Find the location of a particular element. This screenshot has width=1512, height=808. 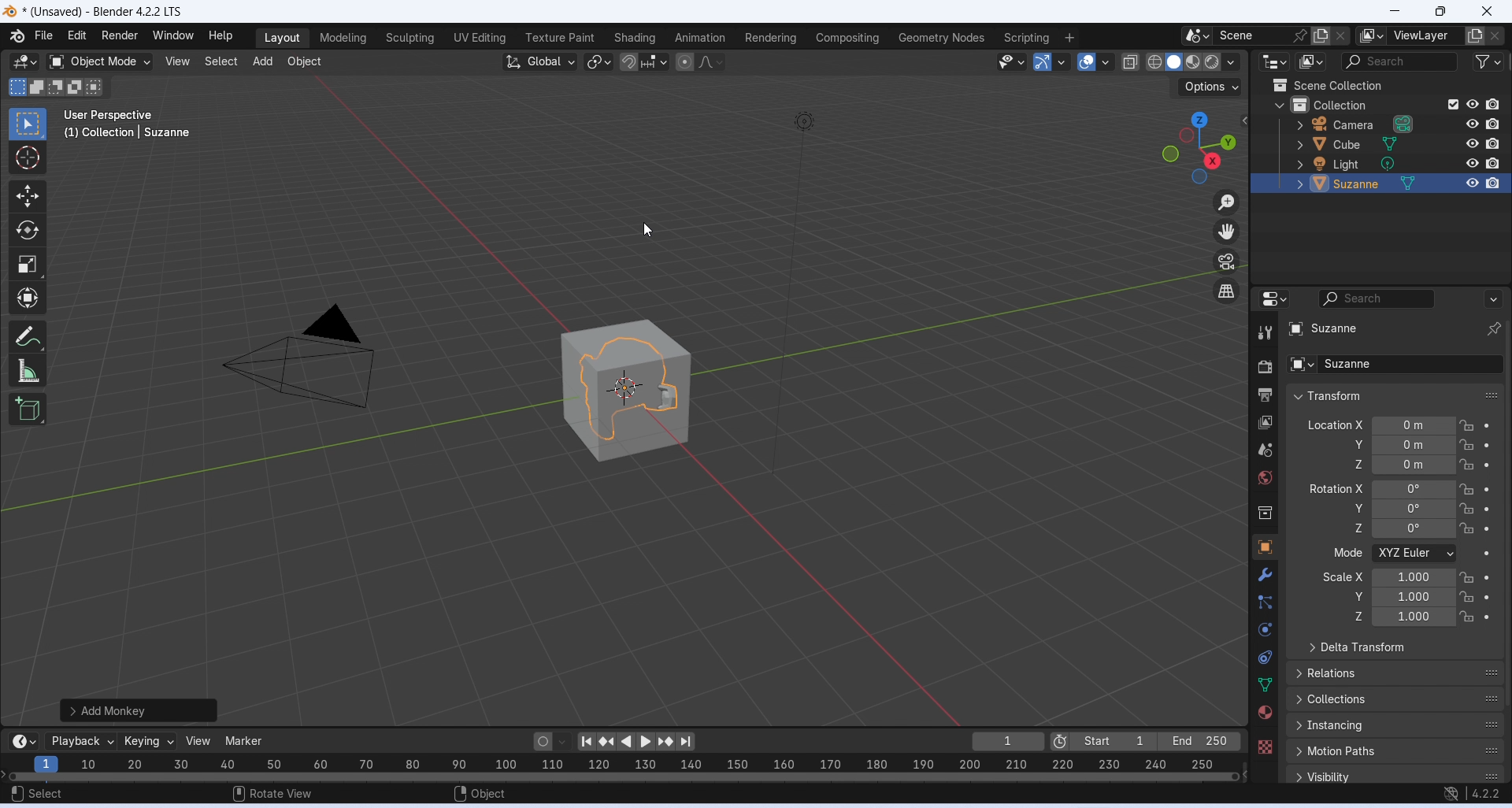

Maximize is located at coordinates (1439, 11).